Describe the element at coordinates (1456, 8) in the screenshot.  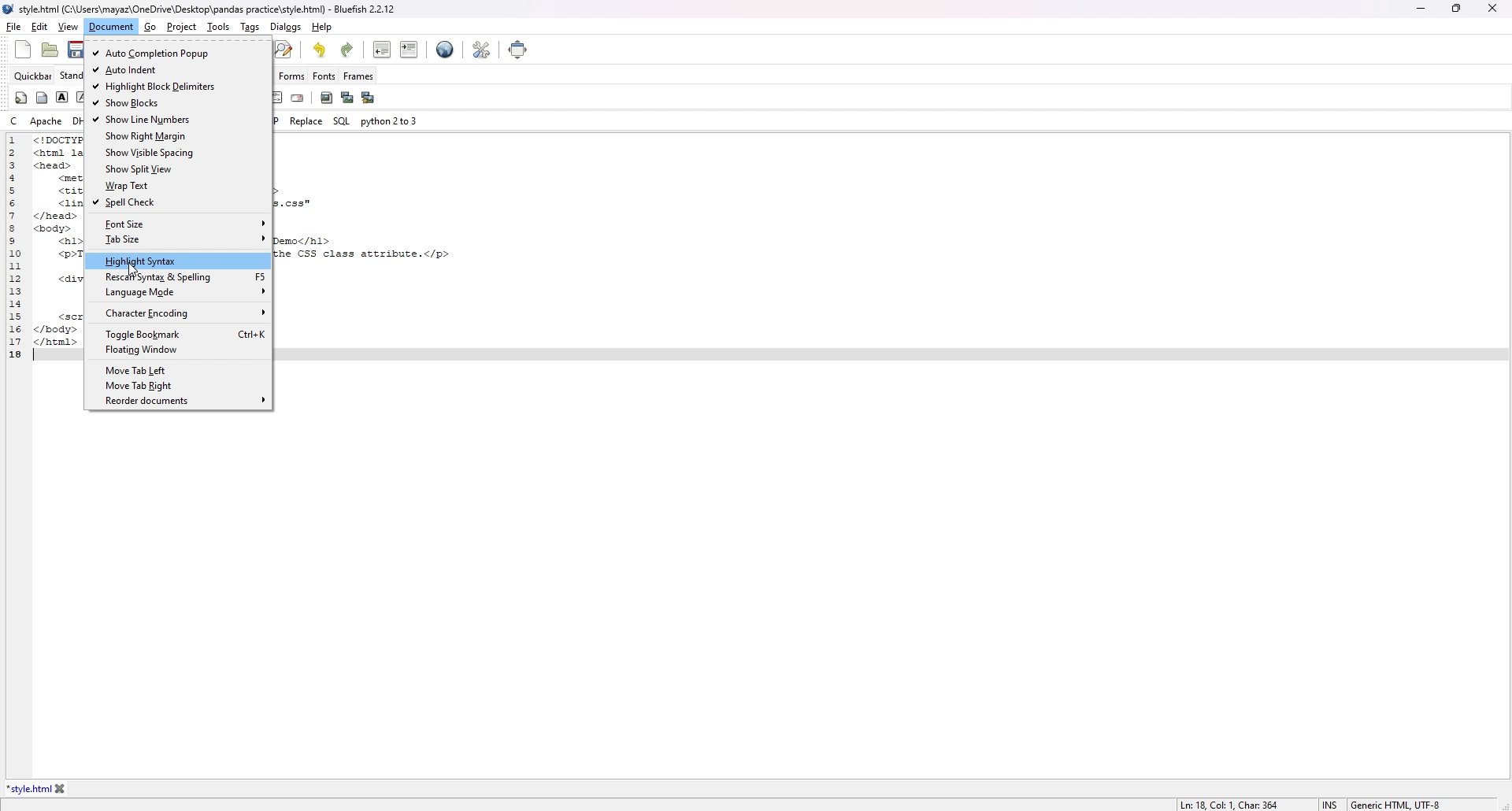
I see `resize` at that location.